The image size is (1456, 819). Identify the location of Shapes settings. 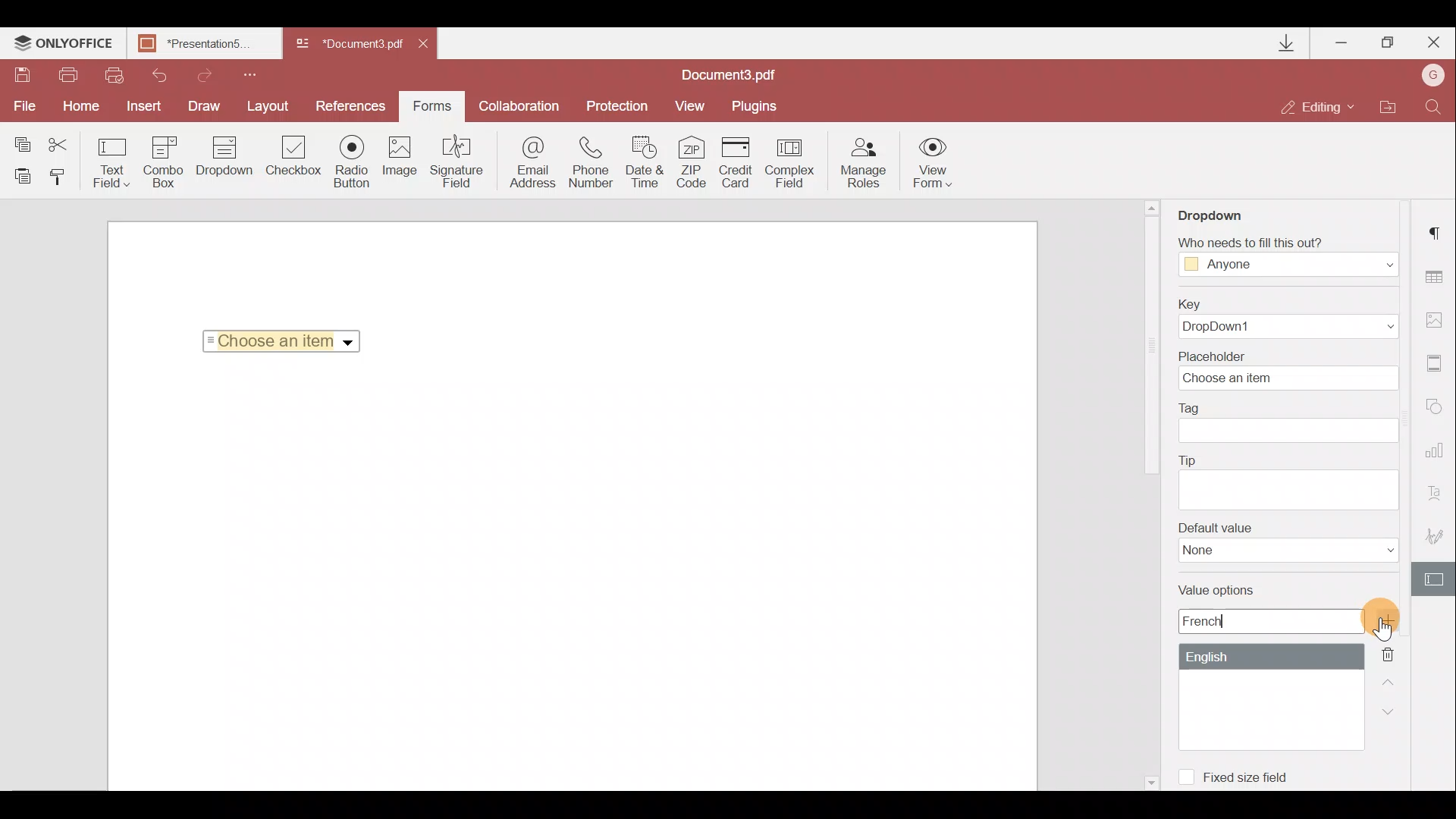
(1437, 409).